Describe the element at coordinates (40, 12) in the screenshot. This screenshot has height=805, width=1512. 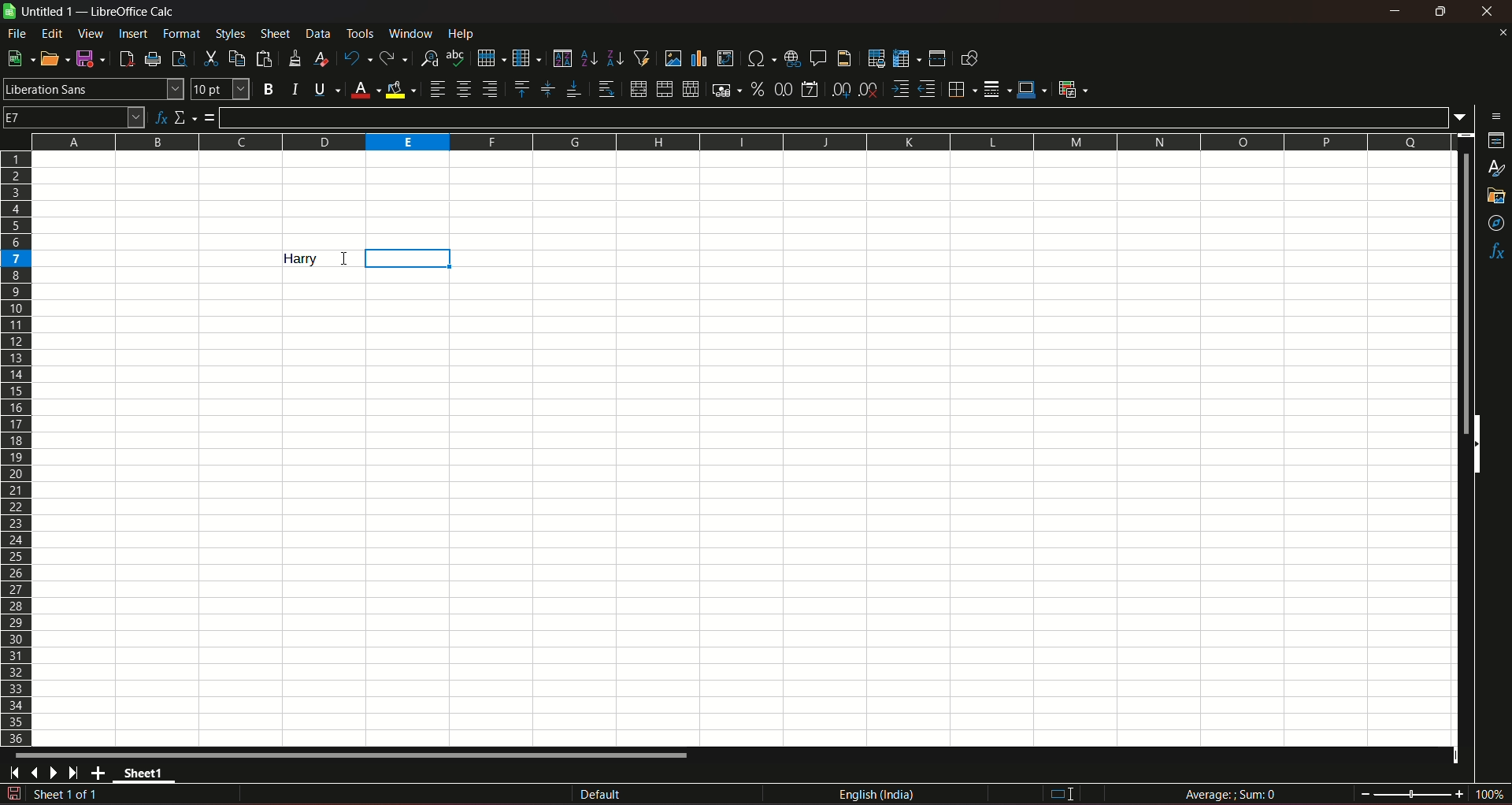
I see `sheet name` at that location.